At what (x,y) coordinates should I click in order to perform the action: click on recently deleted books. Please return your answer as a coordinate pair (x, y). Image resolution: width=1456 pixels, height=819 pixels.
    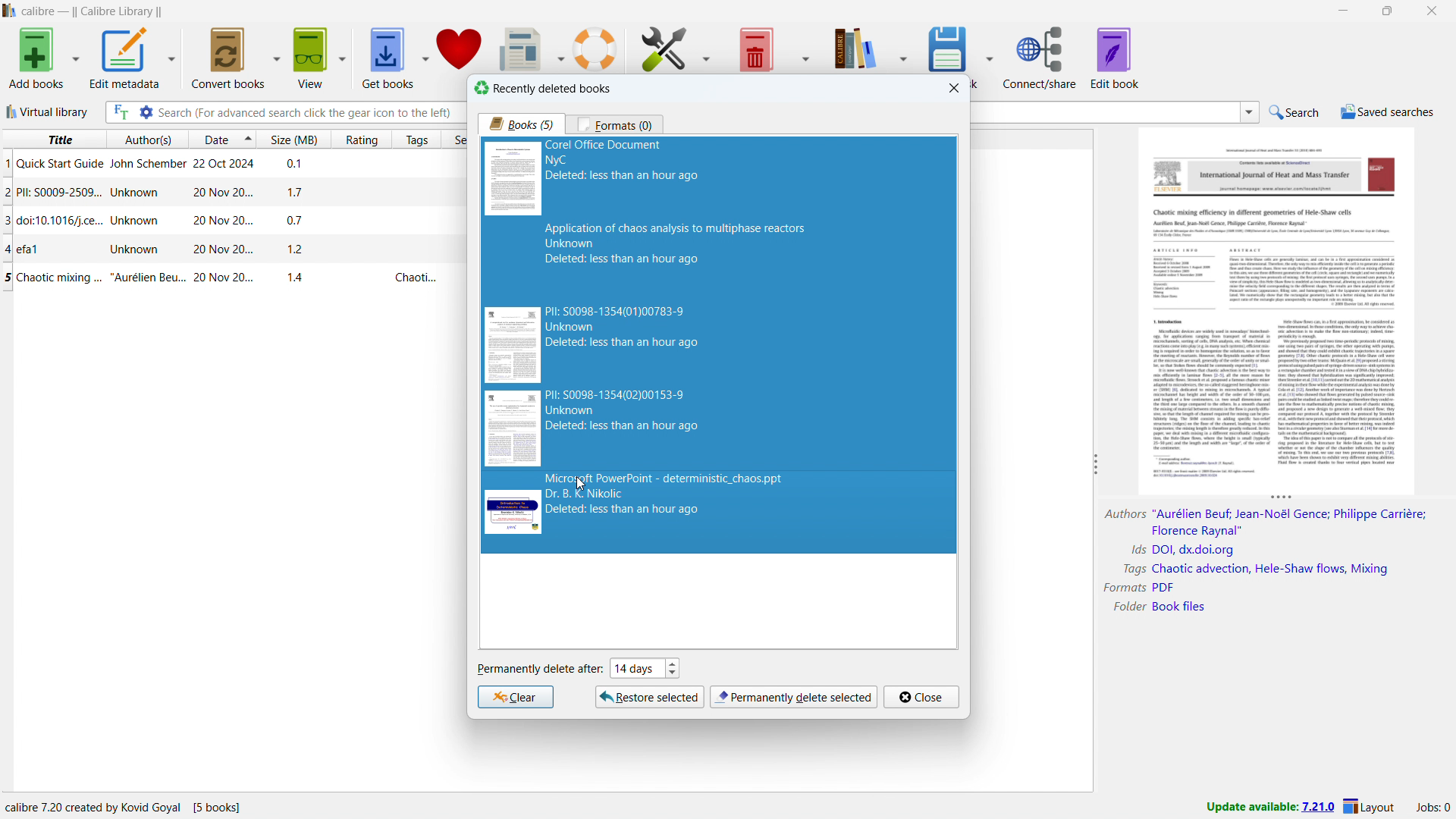
    Looking at the image, I should click on (542, 88).